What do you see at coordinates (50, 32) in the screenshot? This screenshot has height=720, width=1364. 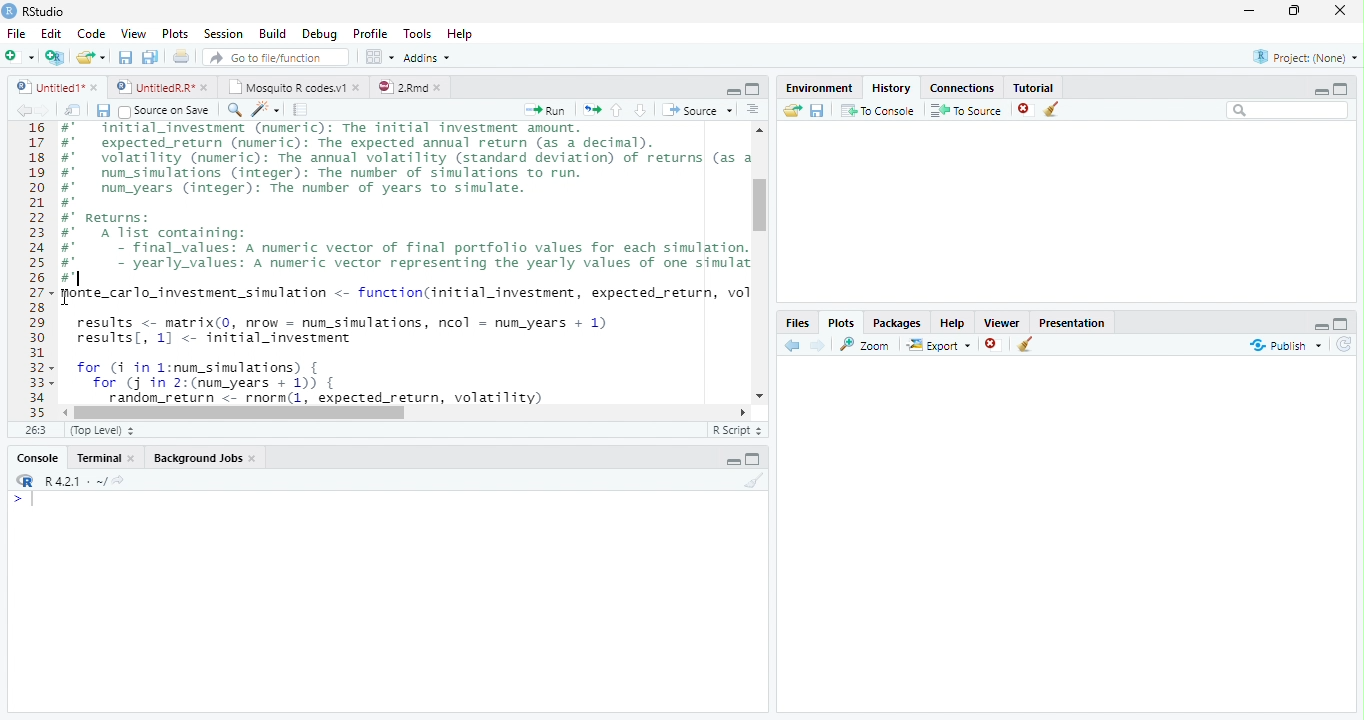 I see `Edit` at bounding box center [50, 32].